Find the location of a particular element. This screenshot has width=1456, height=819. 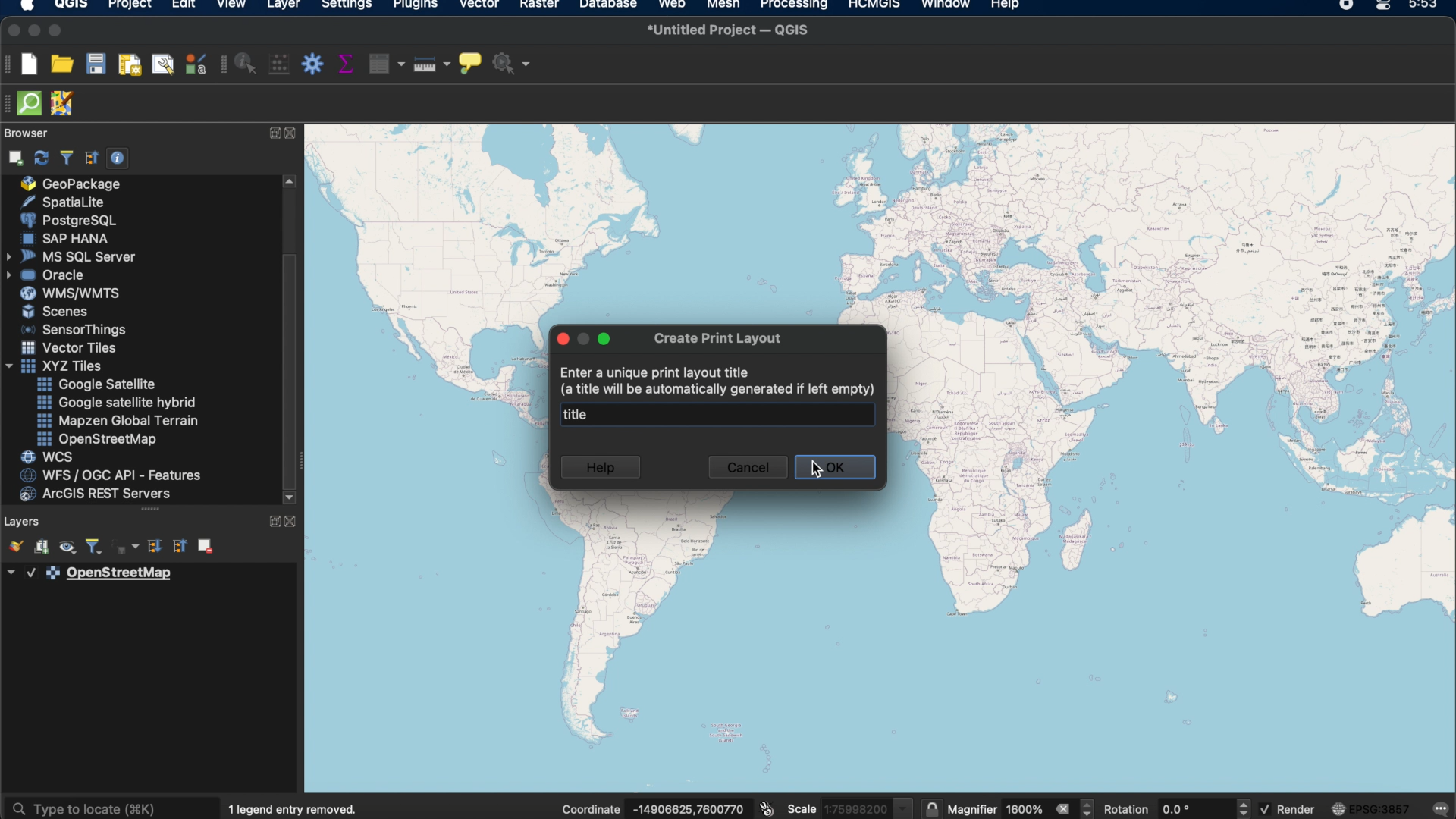

toggle extents and mouse position display is located at coordinates (765, 808).